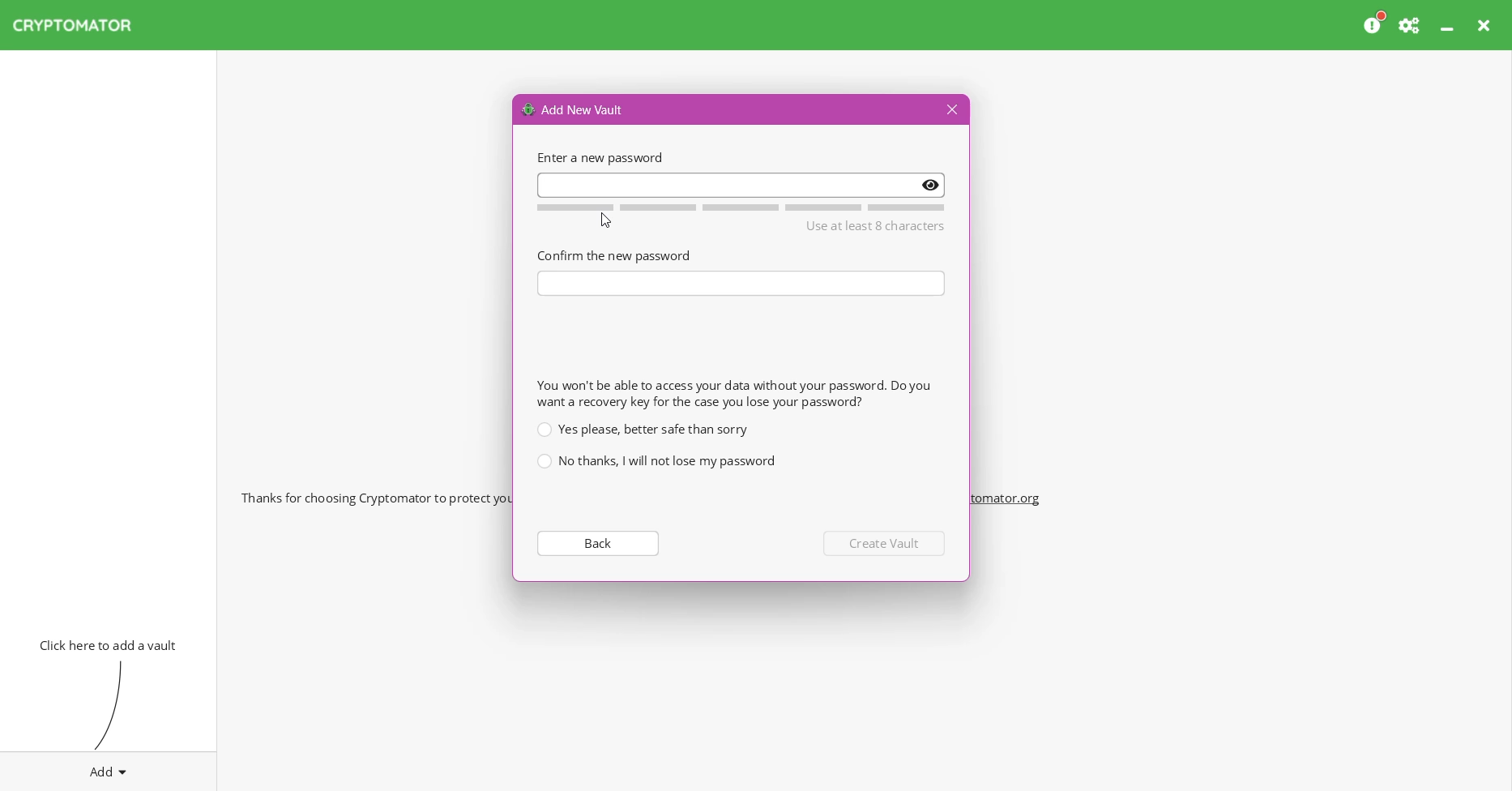  Describe the element at coordinates (950, 110) in the screenshot. I see `Close` at that location.